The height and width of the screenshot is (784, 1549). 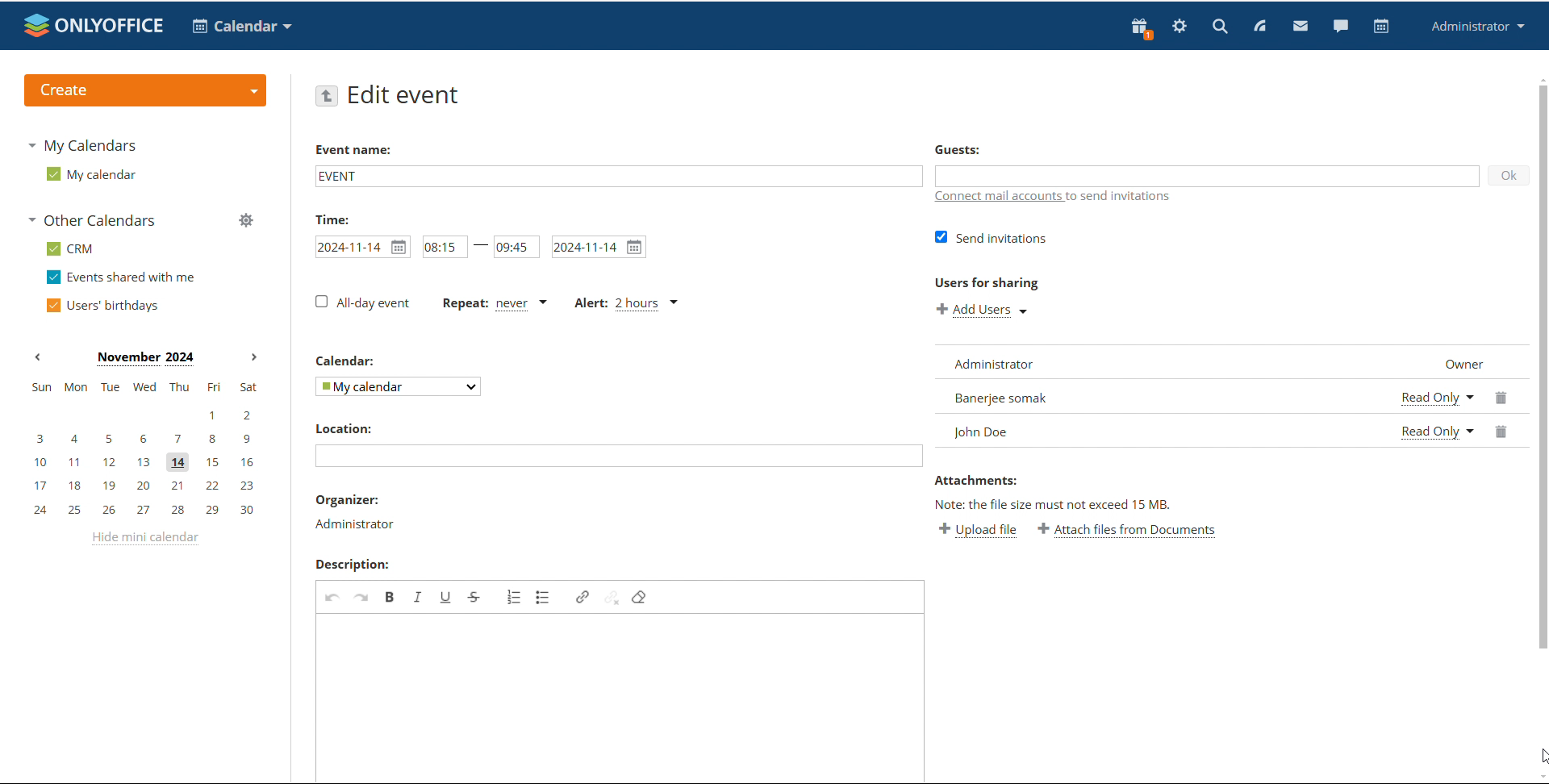 What do you see at coordinates (346, 499) in the screenshot?
I see `organiser` at bounding box center [346, 499].